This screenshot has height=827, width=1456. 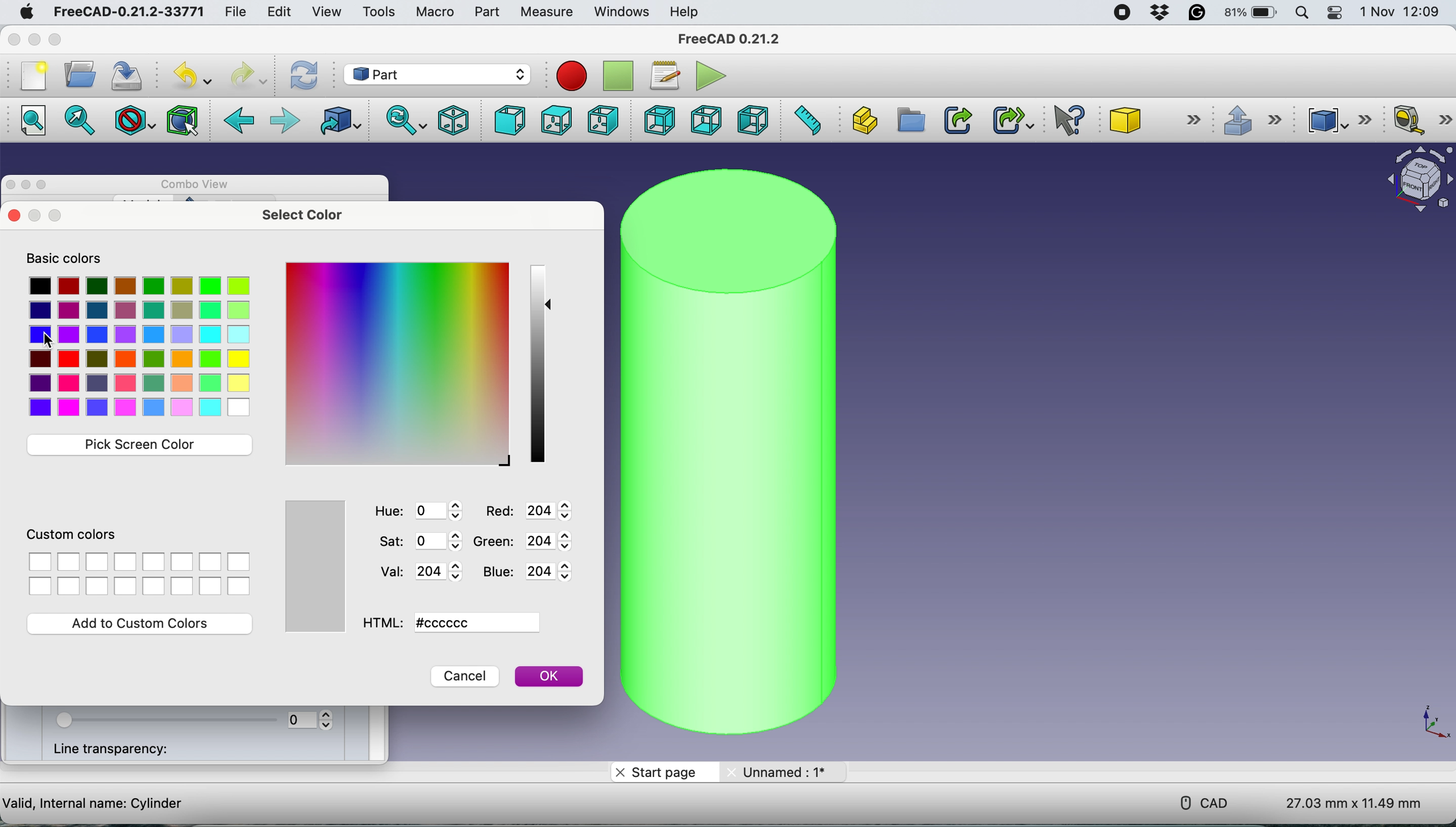 I want to click on create group, so click(x=909, y=120).